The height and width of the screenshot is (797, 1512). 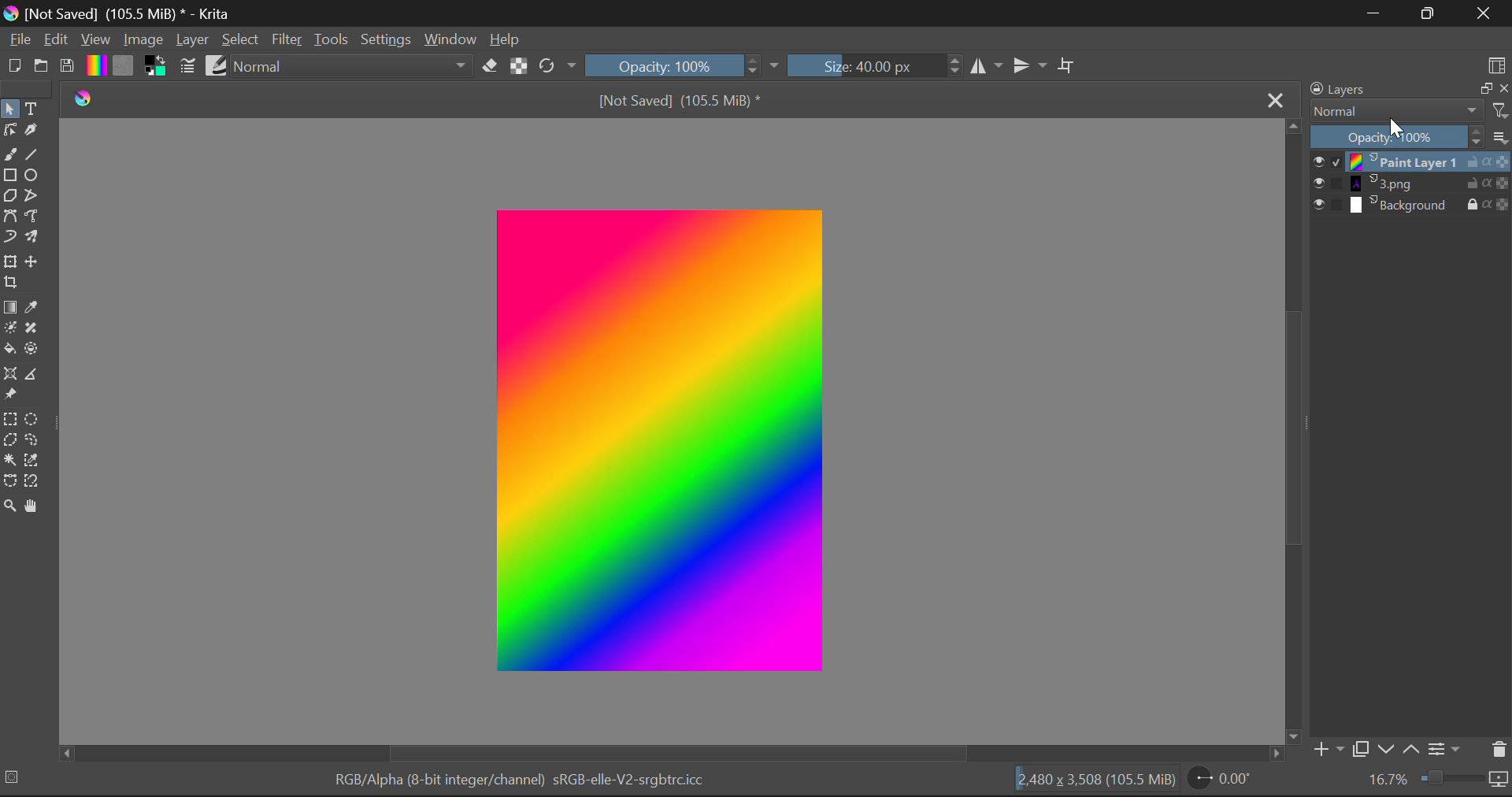 I want to click on Layer, so click(x=192, y=43).